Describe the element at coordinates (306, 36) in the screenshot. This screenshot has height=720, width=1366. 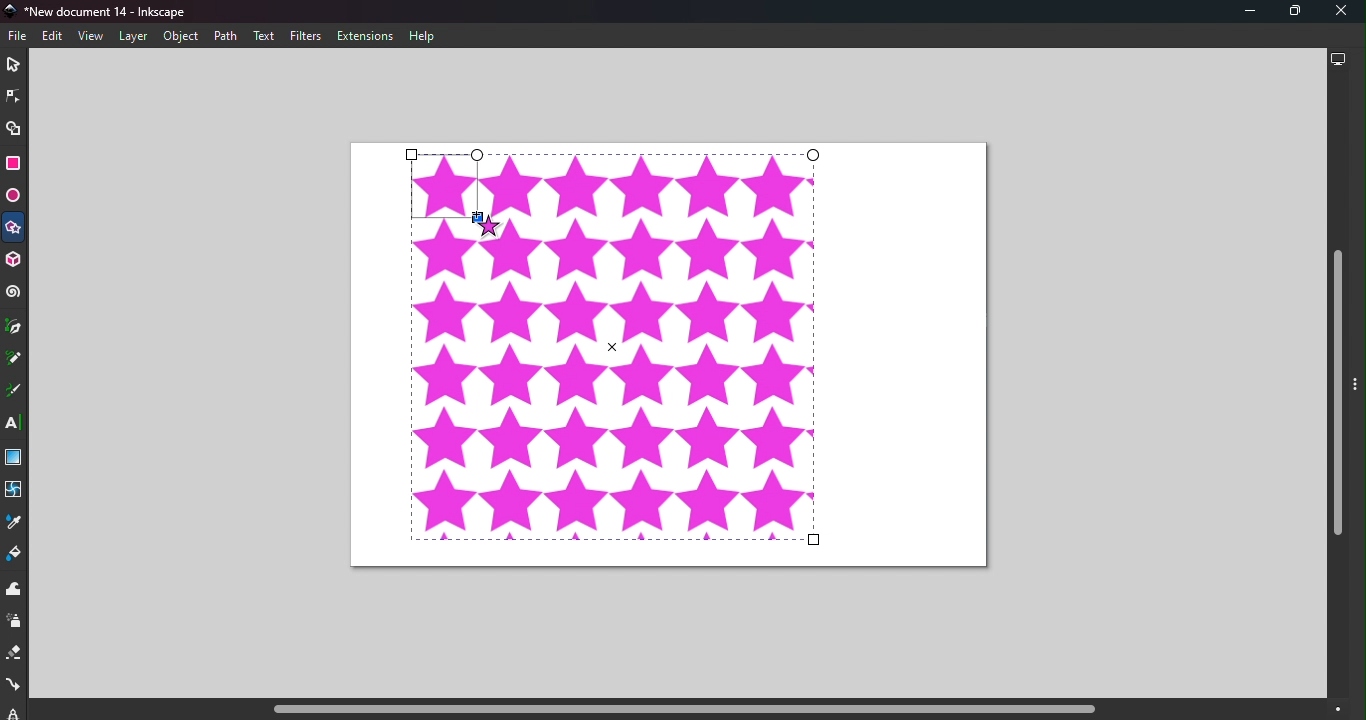
I see `Filters` at that location.